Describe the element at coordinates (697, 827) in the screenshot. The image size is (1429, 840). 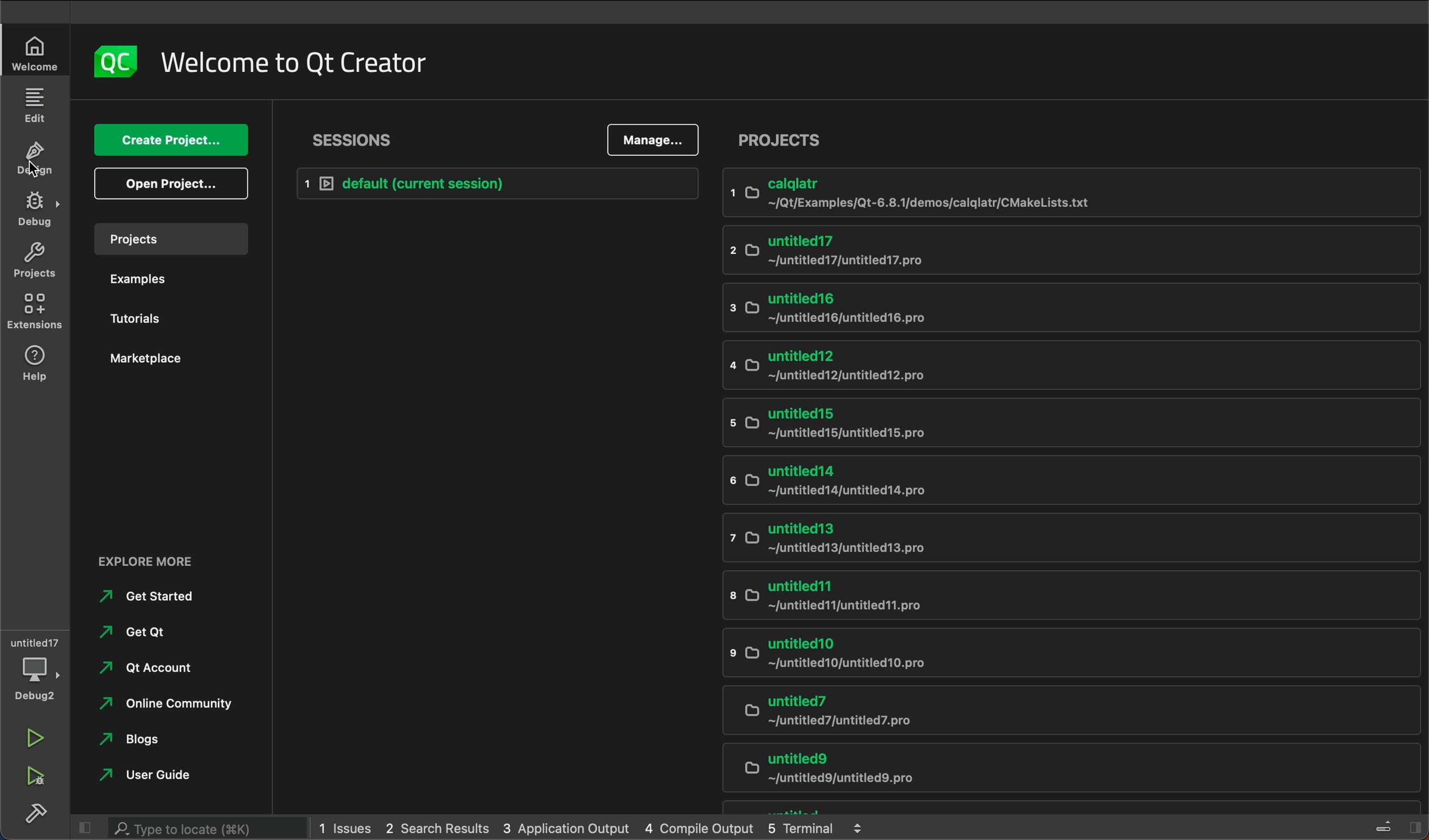
I see `4 Compile Output` at that location.